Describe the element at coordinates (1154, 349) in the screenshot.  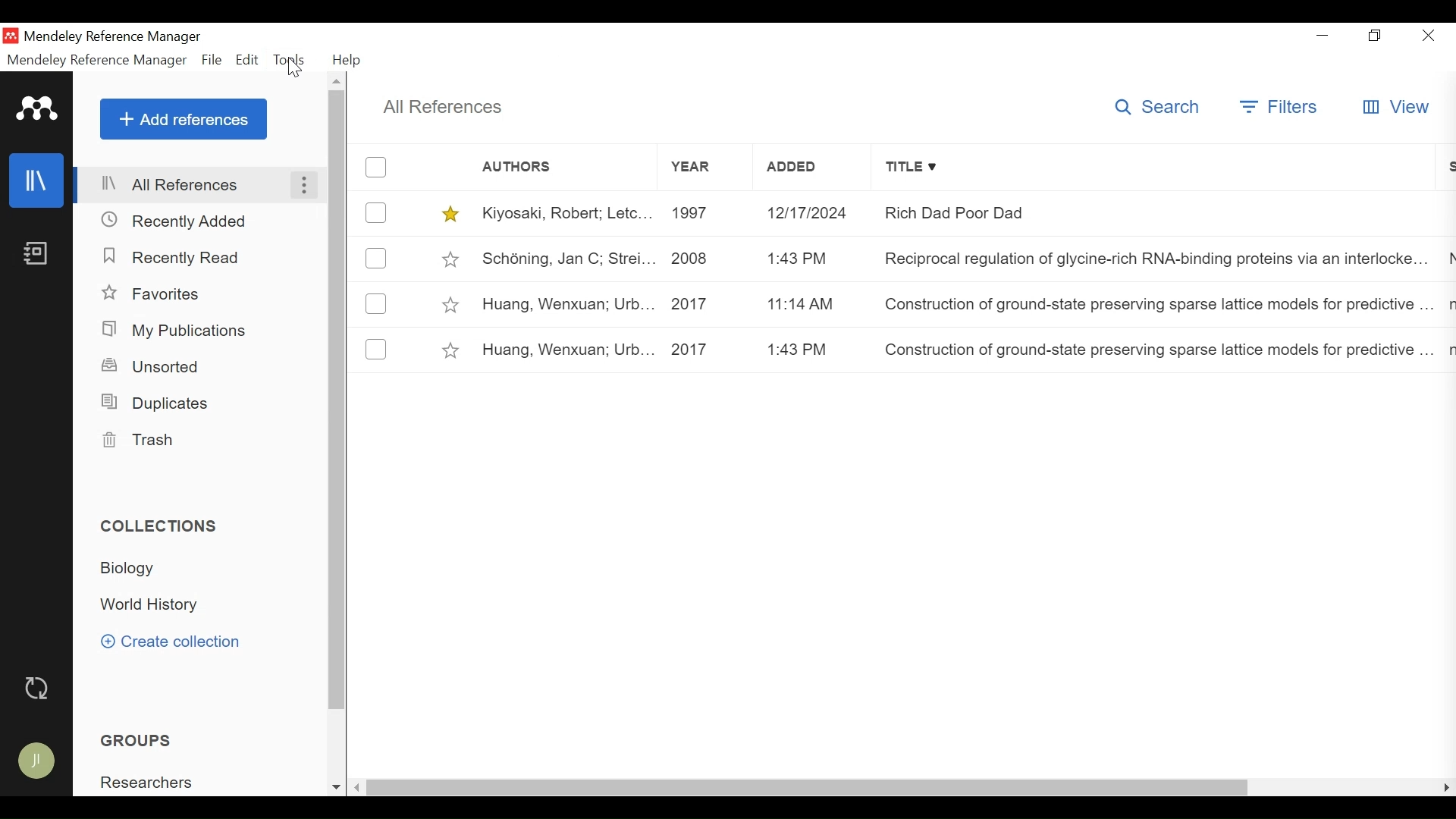
I see `Construction of ground-state preserving sparse lattice models for predictive machine simulations` at that location.